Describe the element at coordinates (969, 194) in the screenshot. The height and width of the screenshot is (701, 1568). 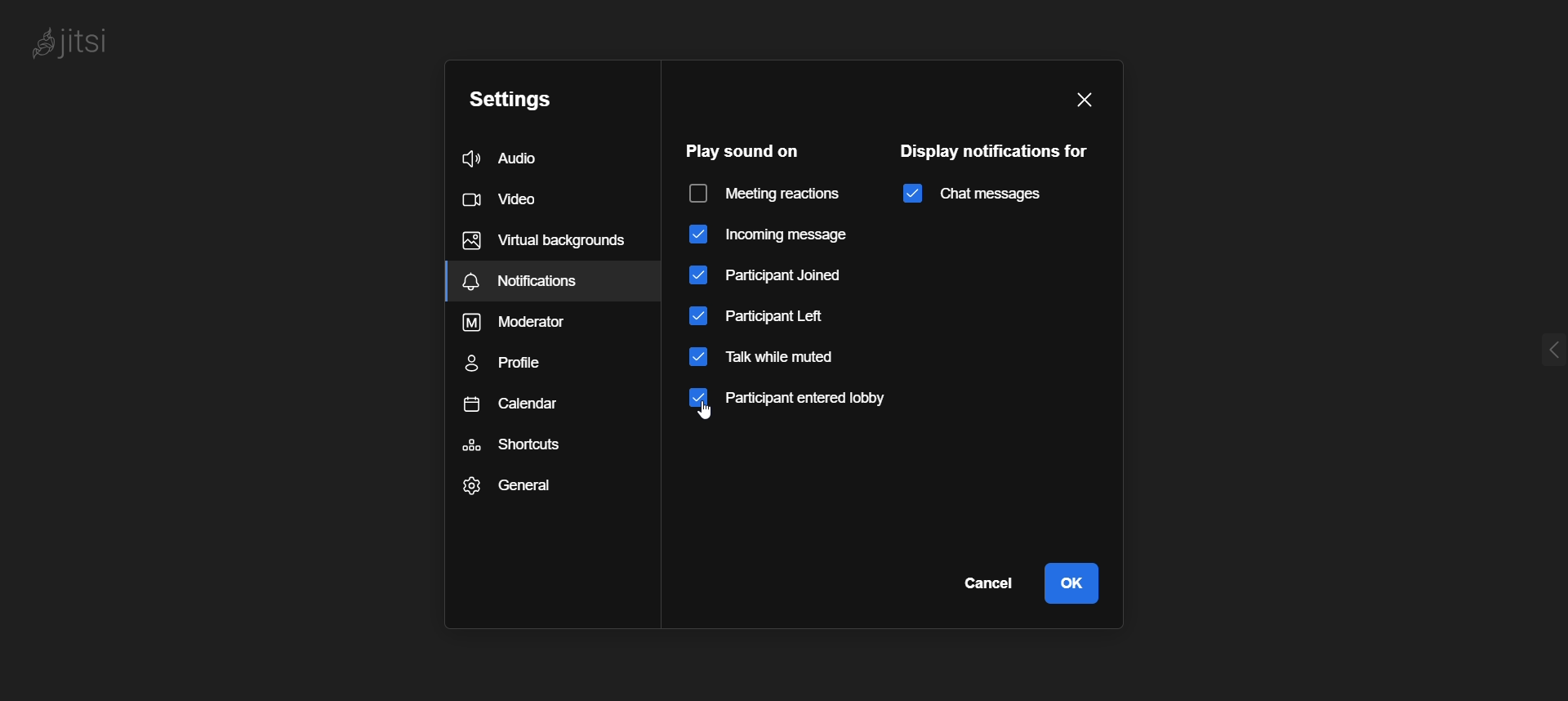
I see `chat messages` at that location.